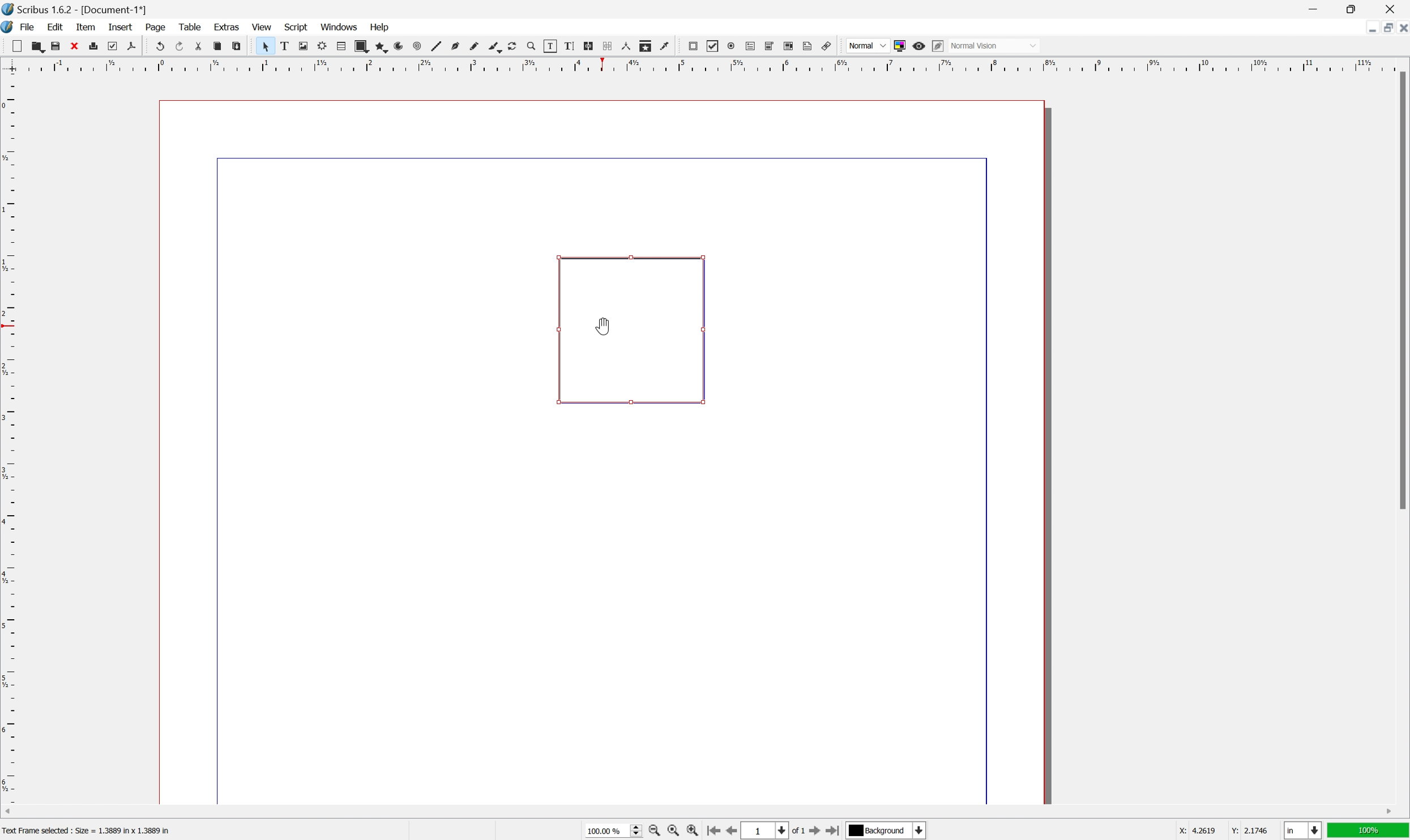  Describe the element at coordinates (179, 45) in the screenshot. I see `redo` at that location.